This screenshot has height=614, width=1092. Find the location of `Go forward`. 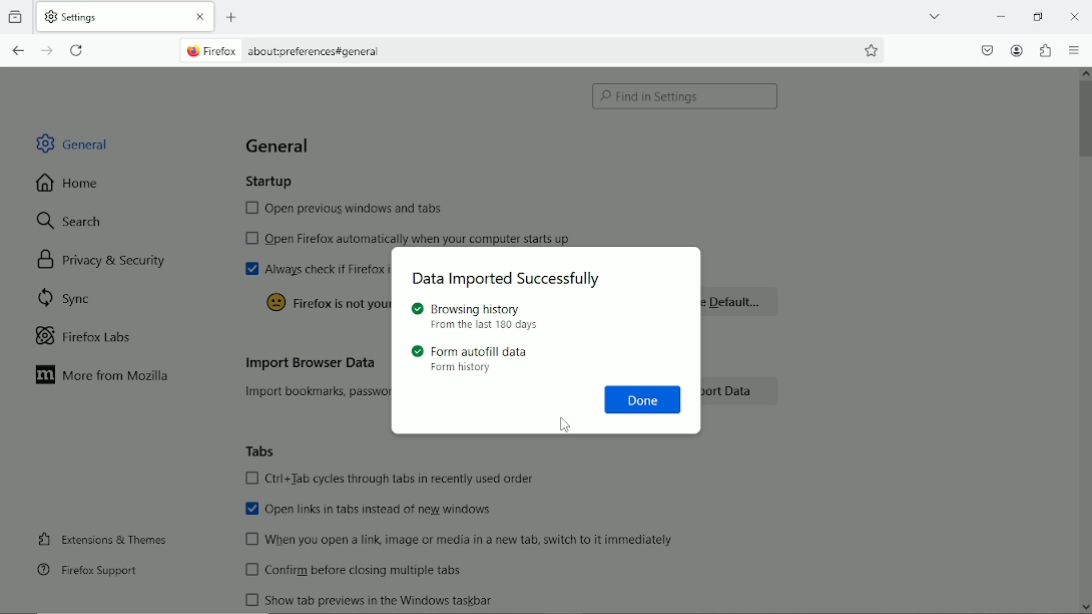

Go forward is located at coordinates (45, 51).